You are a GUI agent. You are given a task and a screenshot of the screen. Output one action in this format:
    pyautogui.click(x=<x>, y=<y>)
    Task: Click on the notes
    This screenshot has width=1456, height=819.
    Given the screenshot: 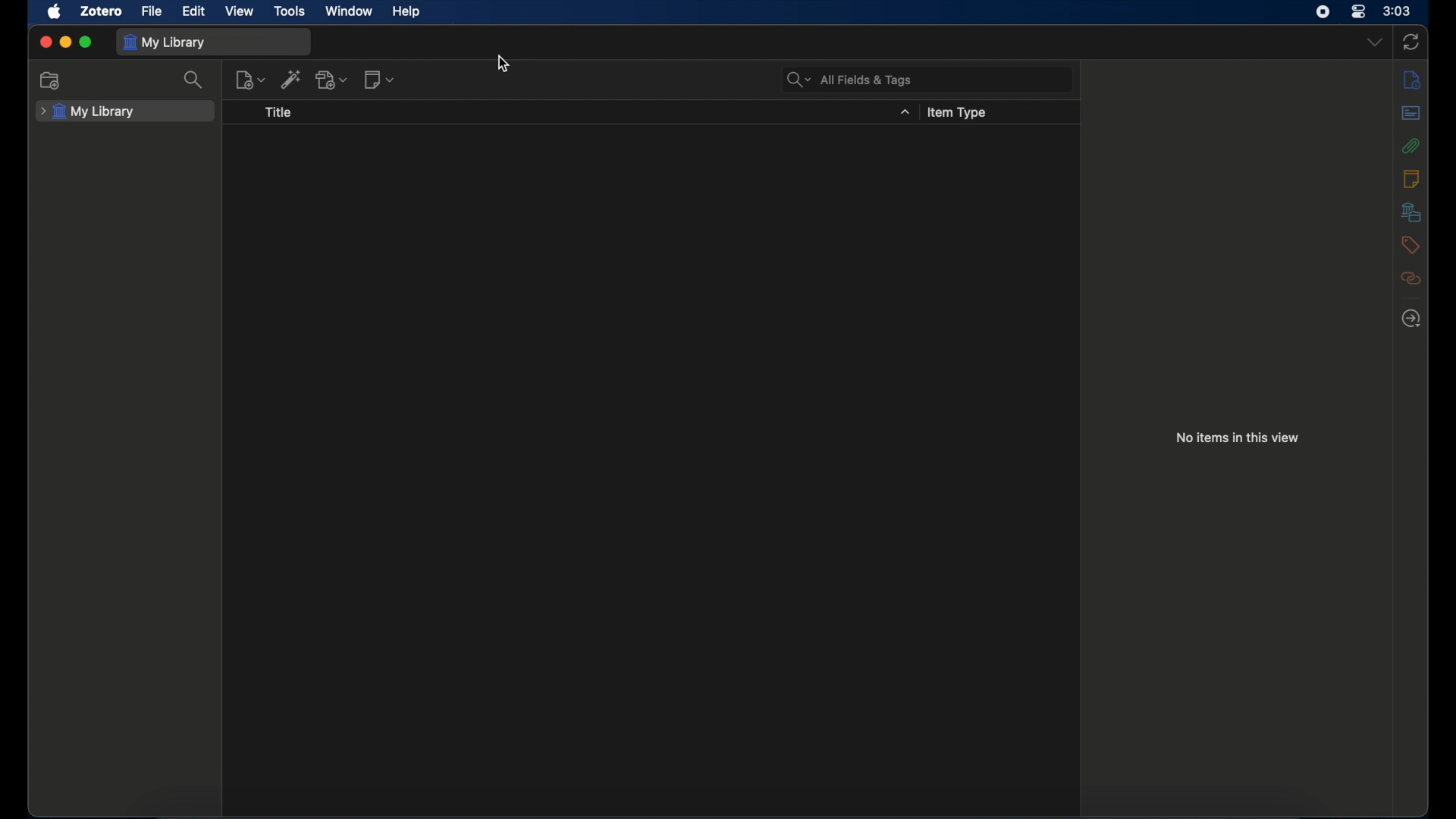 What is the action you would take?
    pyautogui.click(x=1412, y=178)
    